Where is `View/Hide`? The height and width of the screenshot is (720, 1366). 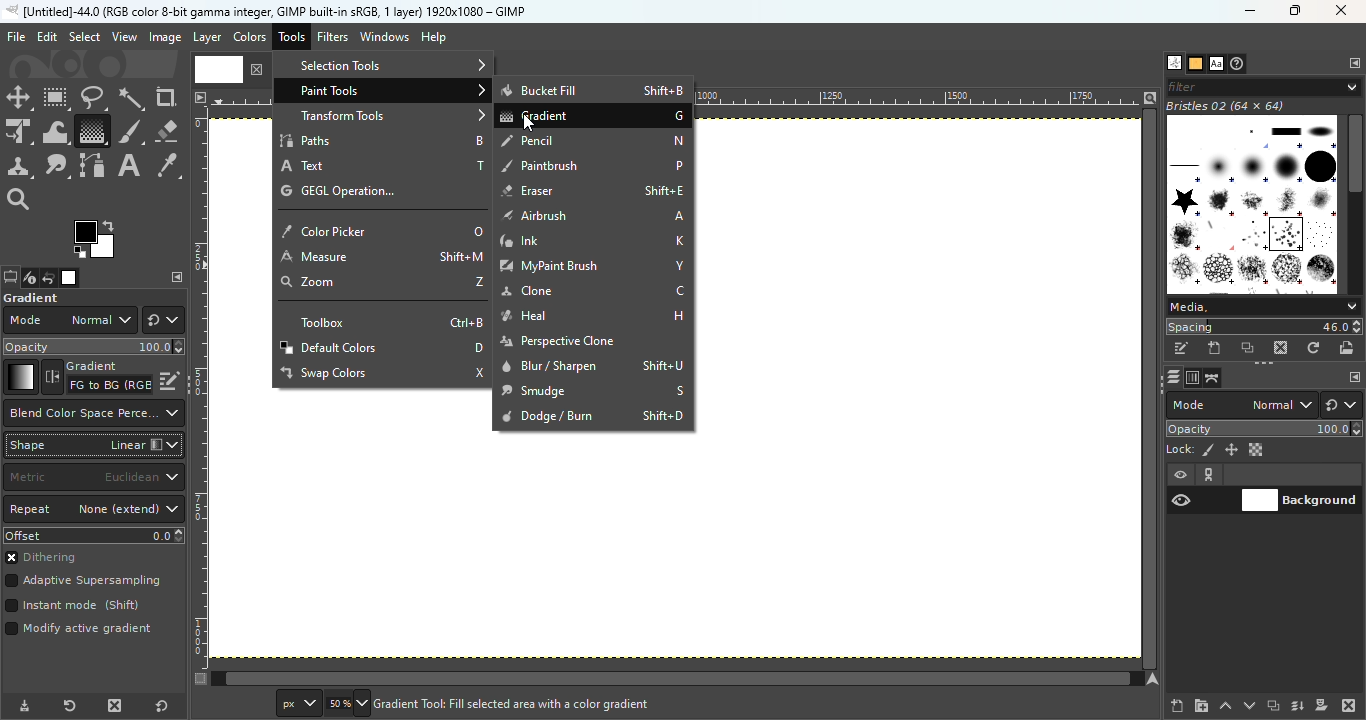
View/Hide is located at coordinates (1202, 488).